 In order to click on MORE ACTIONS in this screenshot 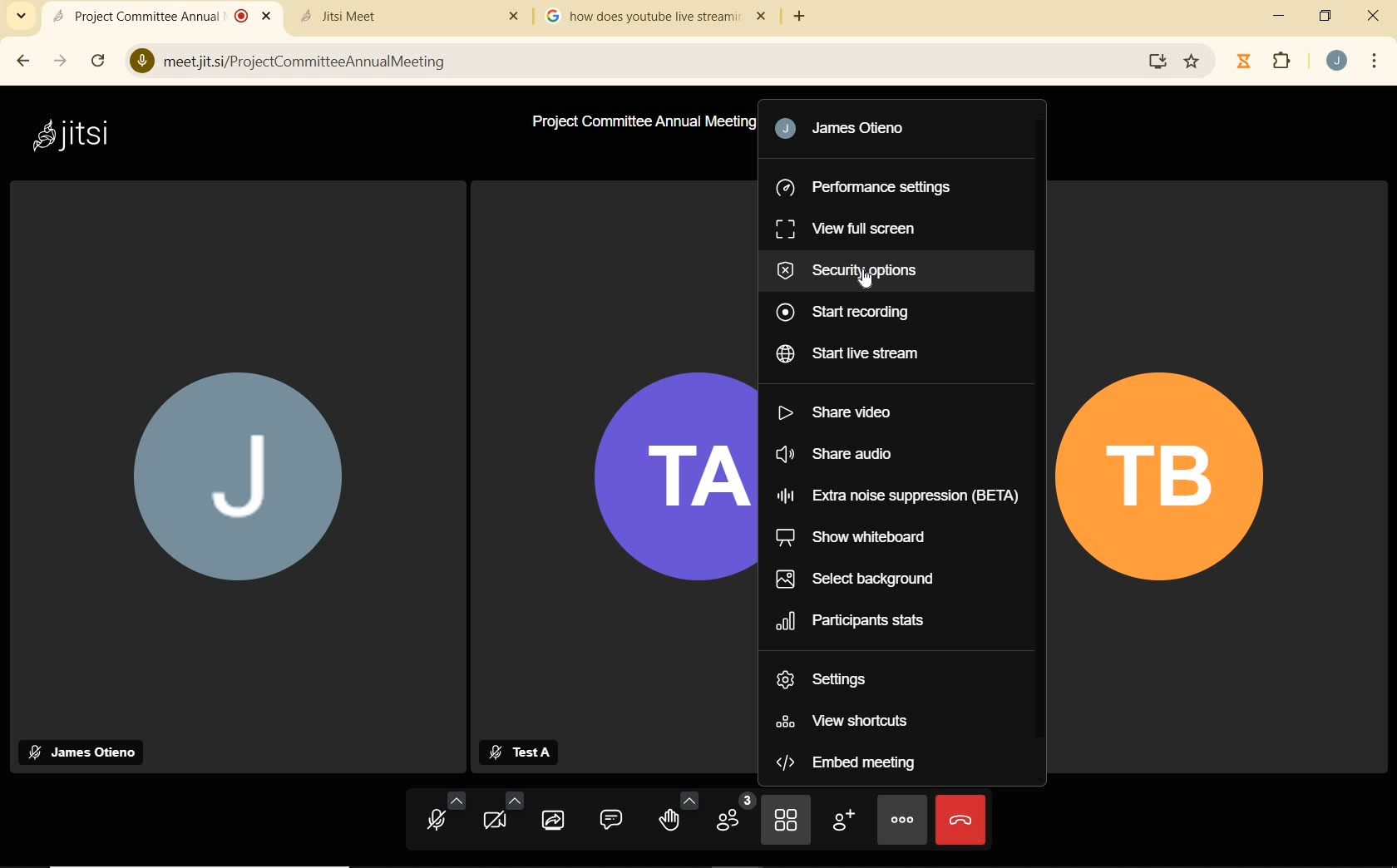, I will do `click(901, 823)`.